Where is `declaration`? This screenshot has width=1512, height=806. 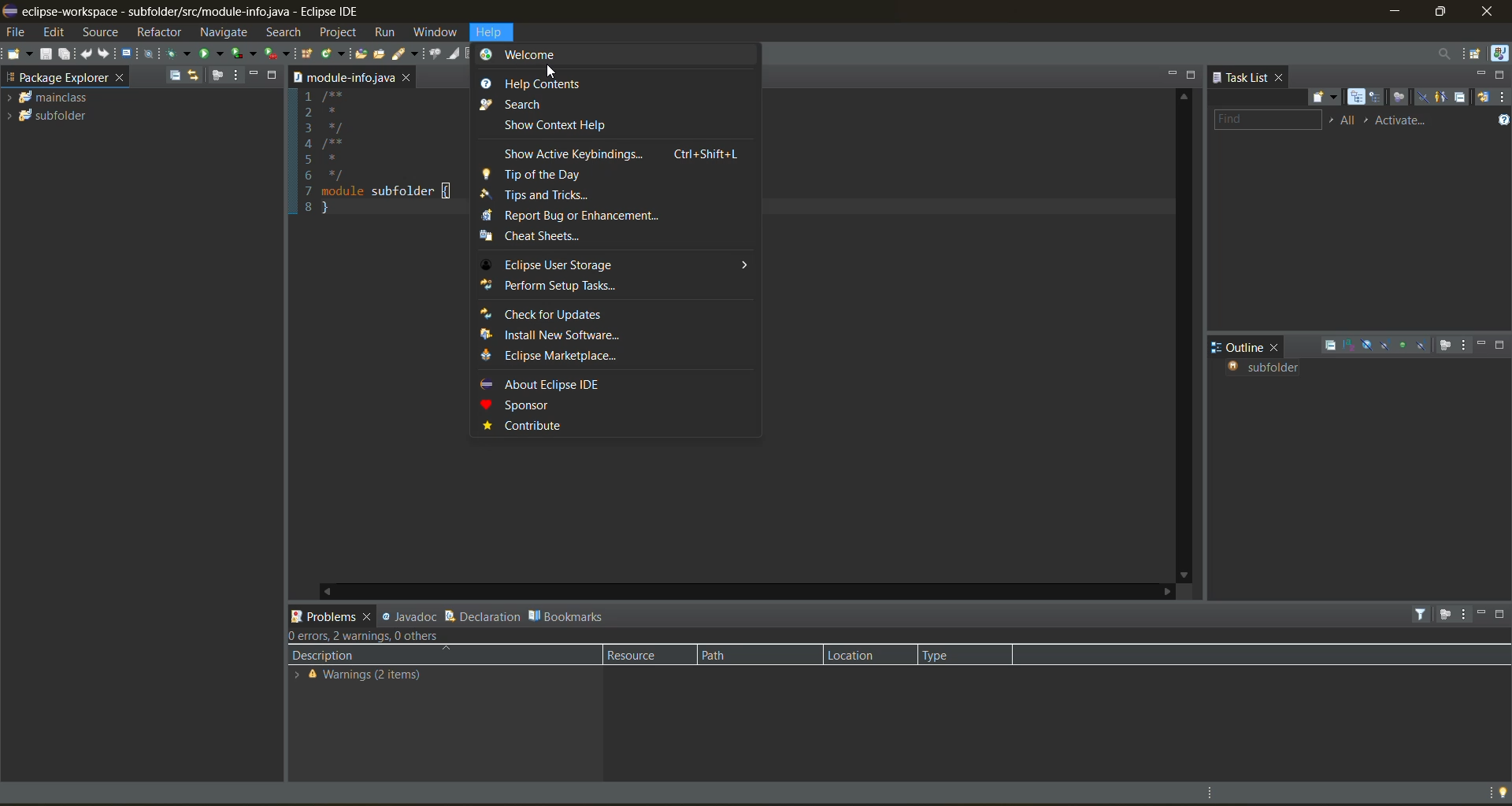 declaration is located at coordinates (481, 613).